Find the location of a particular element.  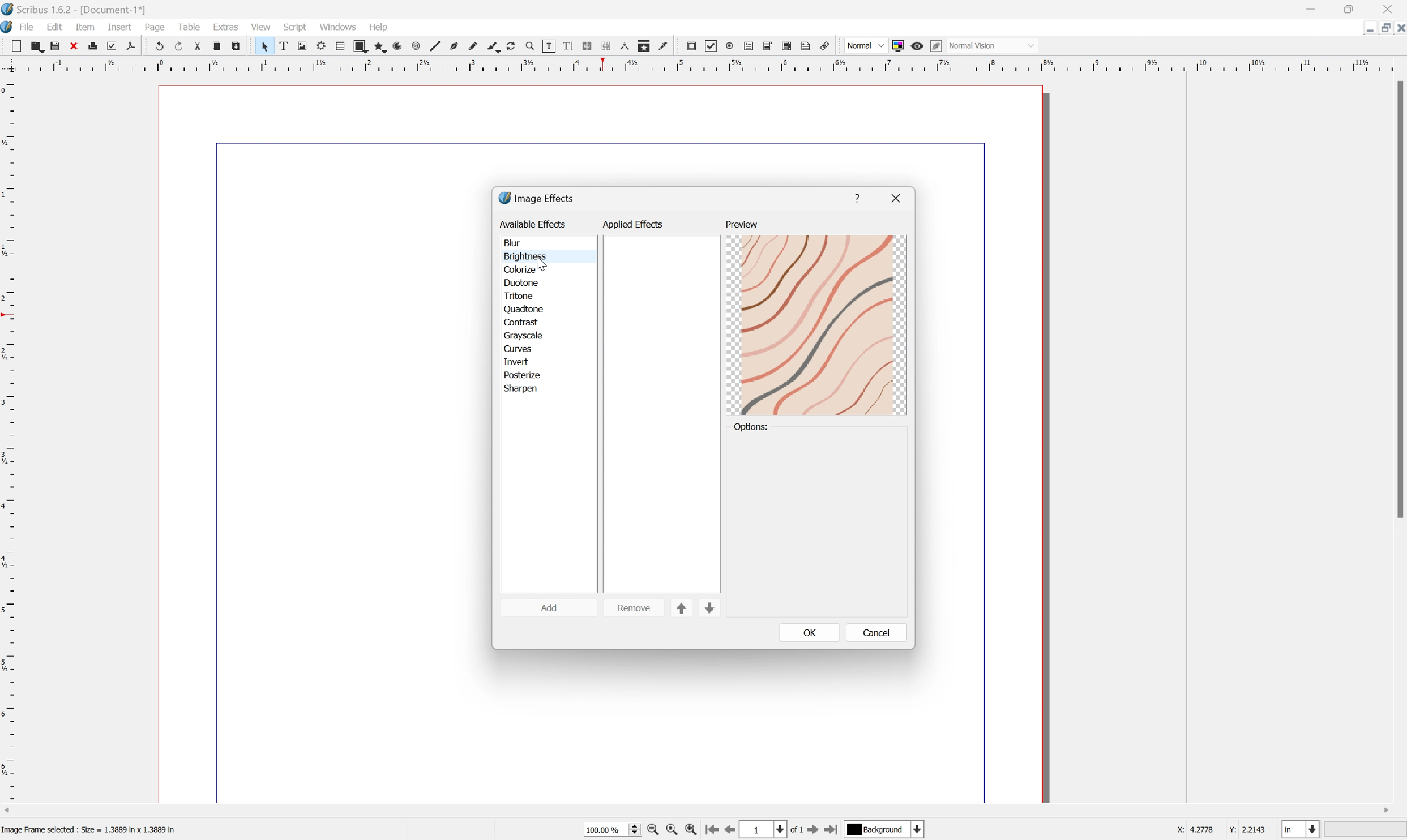

Edit text with story editor is located at coordinates (568, 46).